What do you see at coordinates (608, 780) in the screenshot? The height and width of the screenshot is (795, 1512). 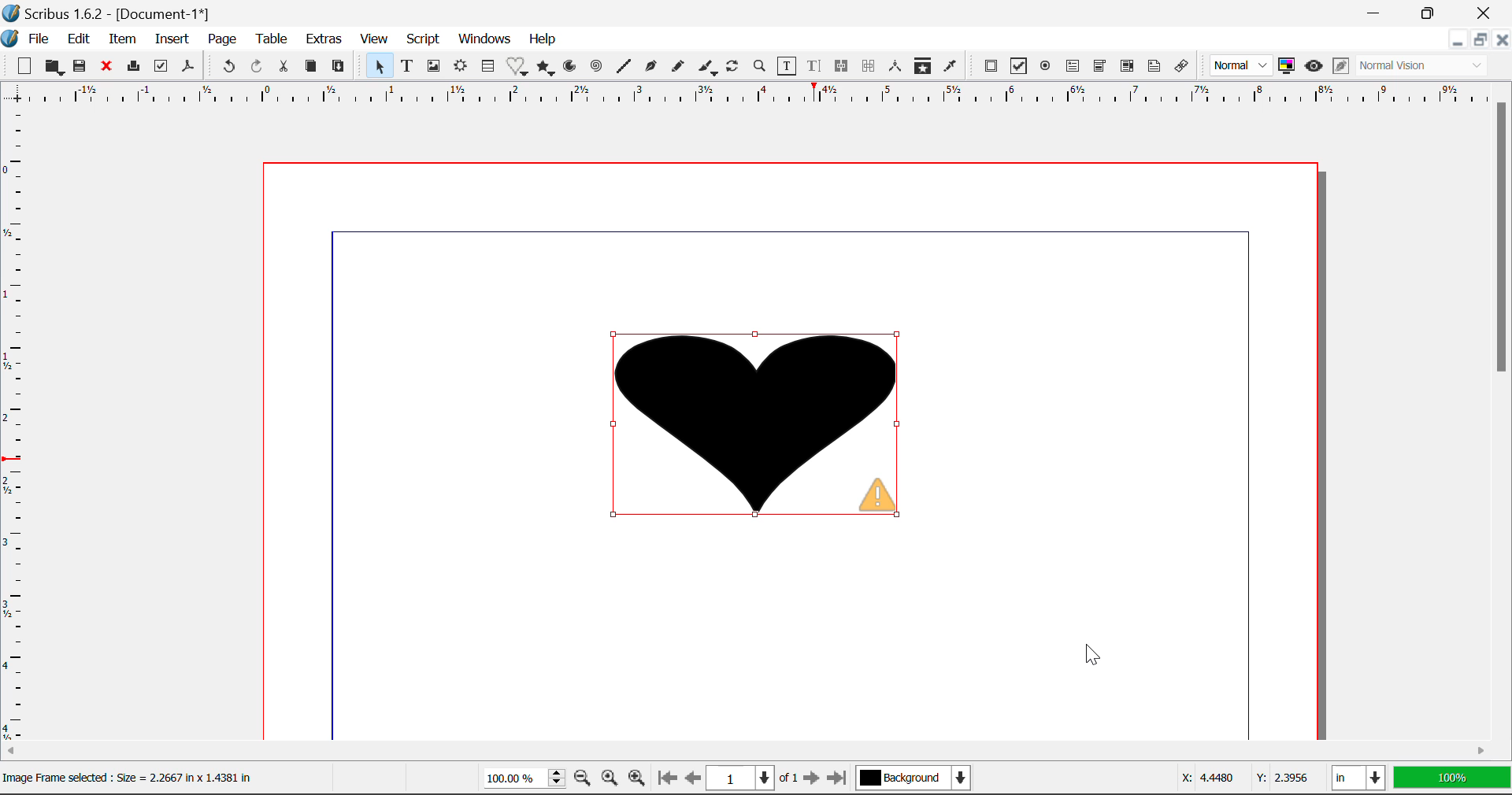 I see `Zoom to 100%` at bounding box center [608, 780].